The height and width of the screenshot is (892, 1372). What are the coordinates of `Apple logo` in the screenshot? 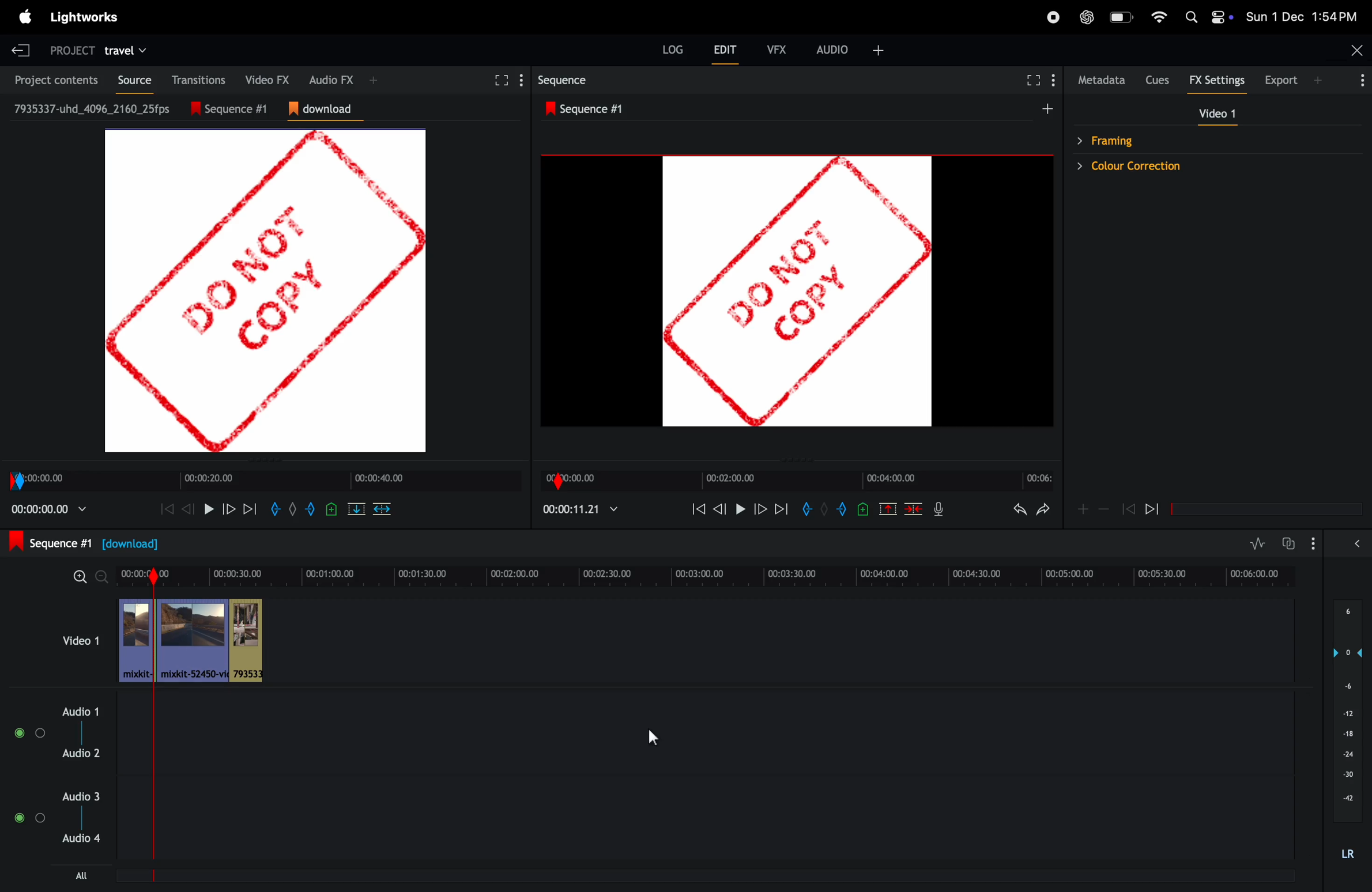 It's located at (26, 17).